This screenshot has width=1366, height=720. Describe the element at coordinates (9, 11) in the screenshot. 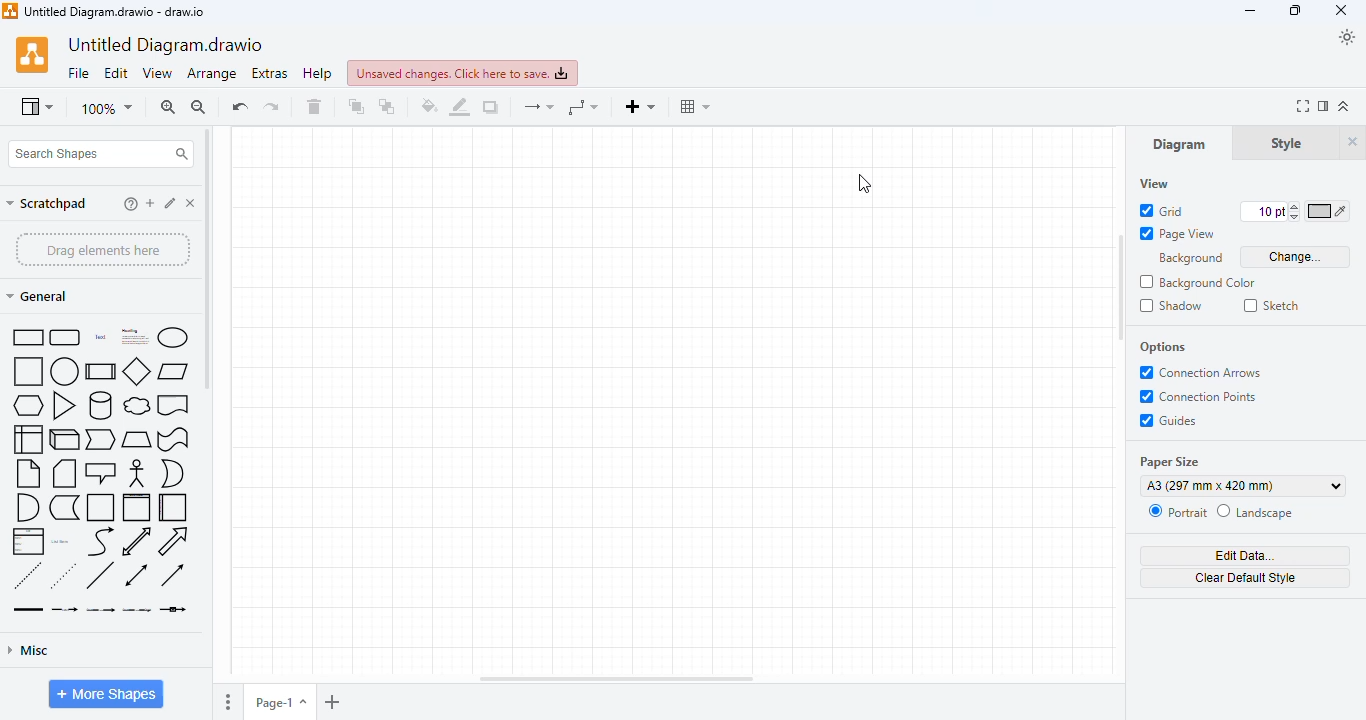

I see `logo` at that location.